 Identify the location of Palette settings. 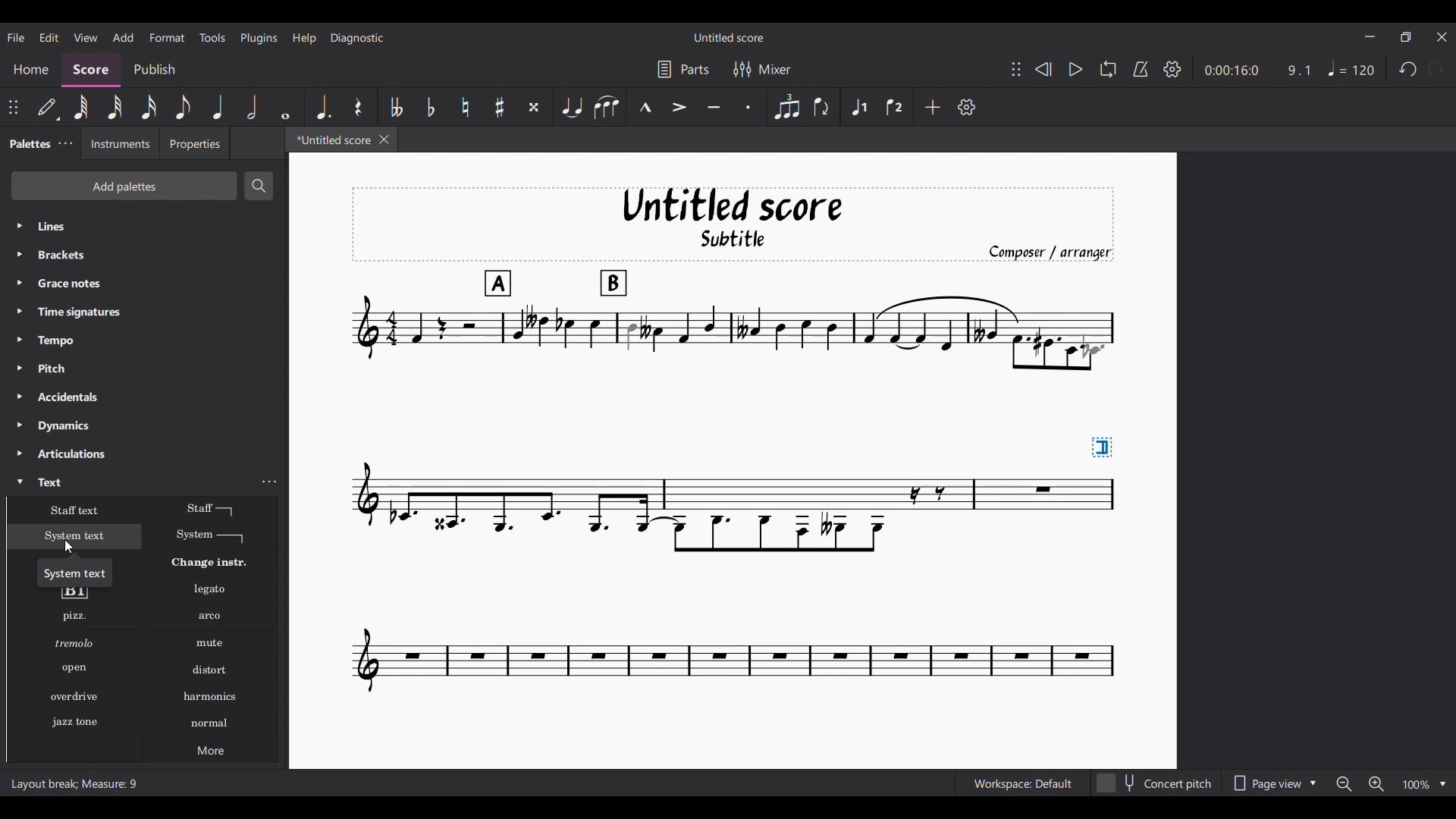
(66, 143).